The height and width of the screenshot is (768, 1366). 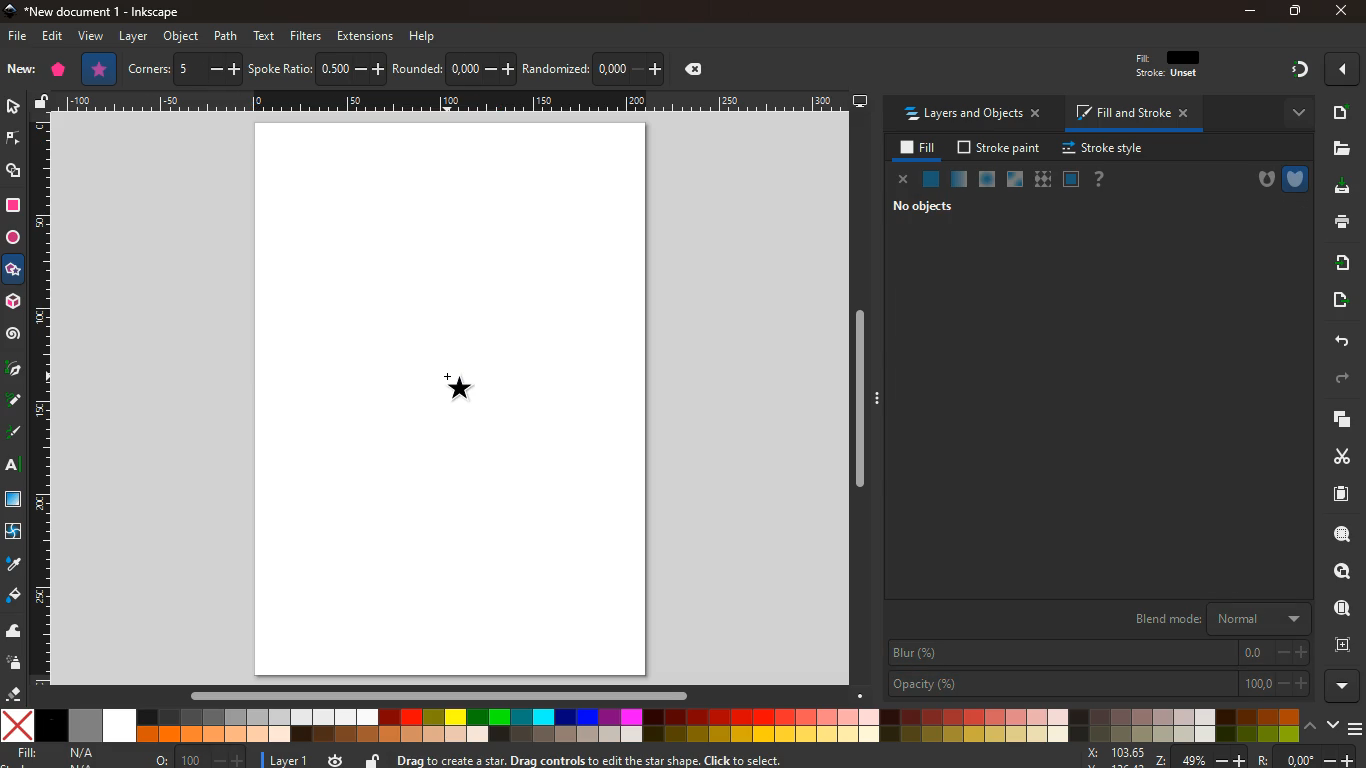 I want to click on blend mode, so click(x=1209, y=618).